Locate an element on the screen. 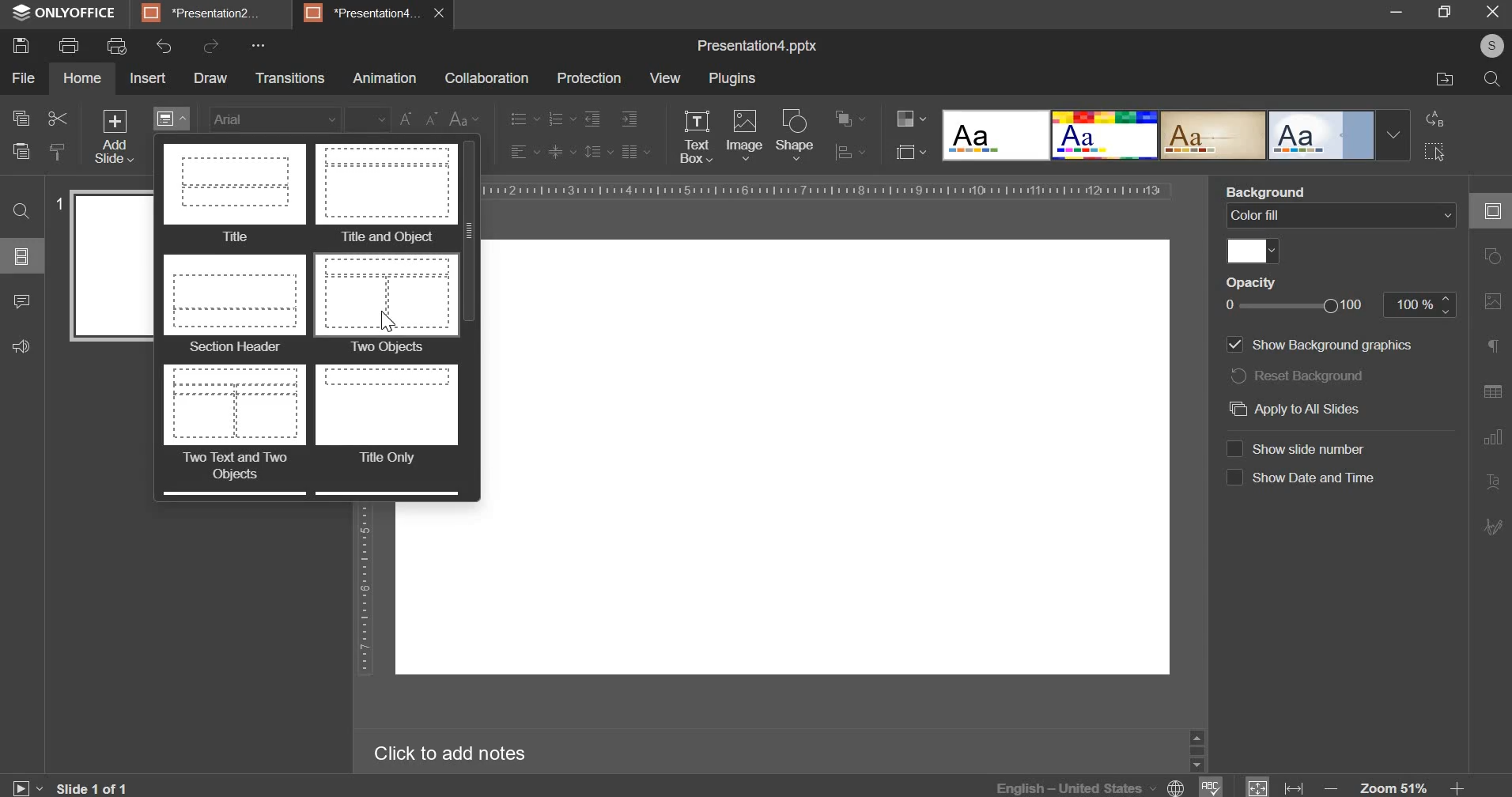 This screenshot has height=797, width=1512. spell check is located at coordinates (1212, 787).